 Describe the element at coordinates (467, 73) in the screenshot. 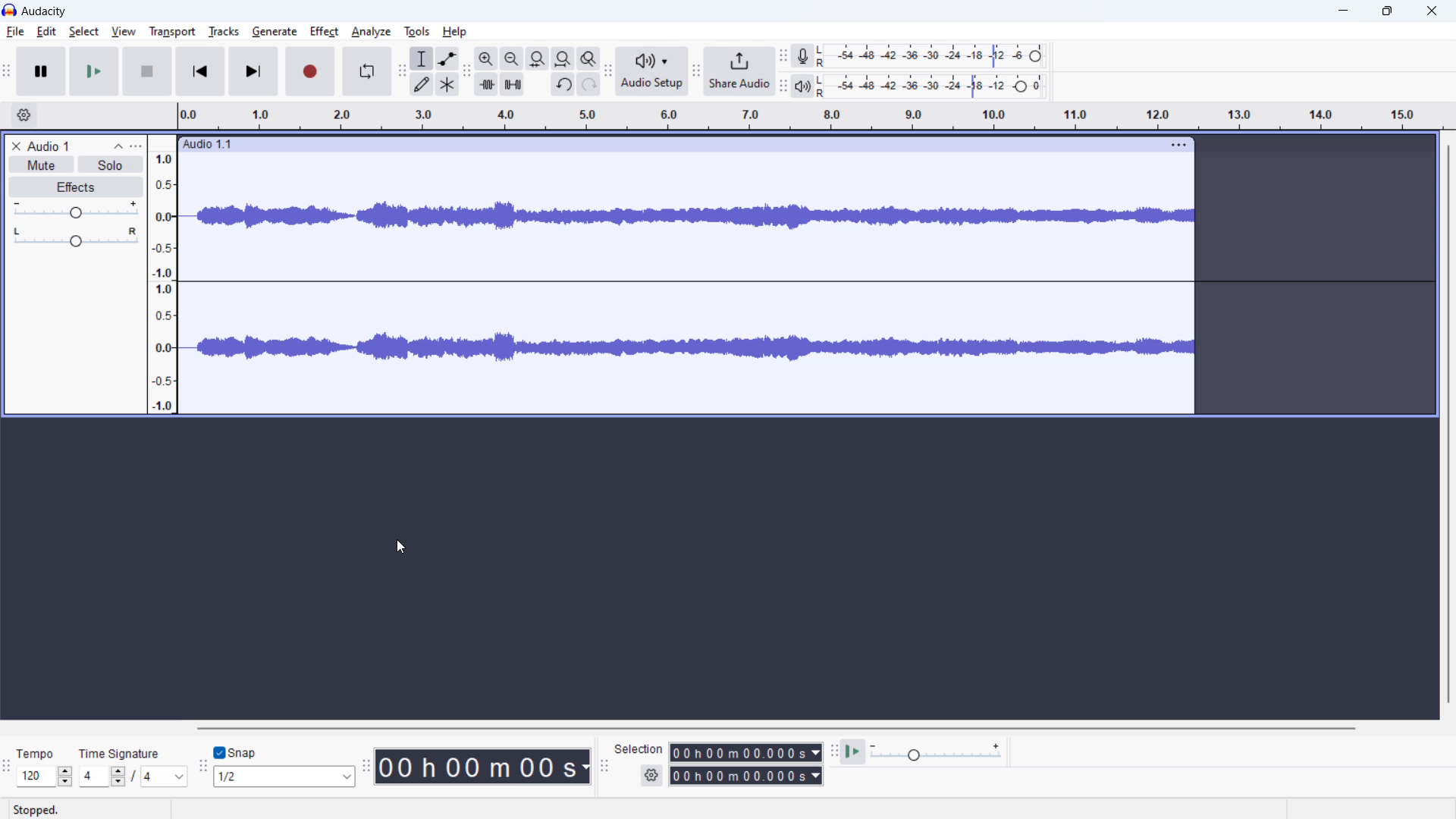

I see `edit toolbar` at that location.